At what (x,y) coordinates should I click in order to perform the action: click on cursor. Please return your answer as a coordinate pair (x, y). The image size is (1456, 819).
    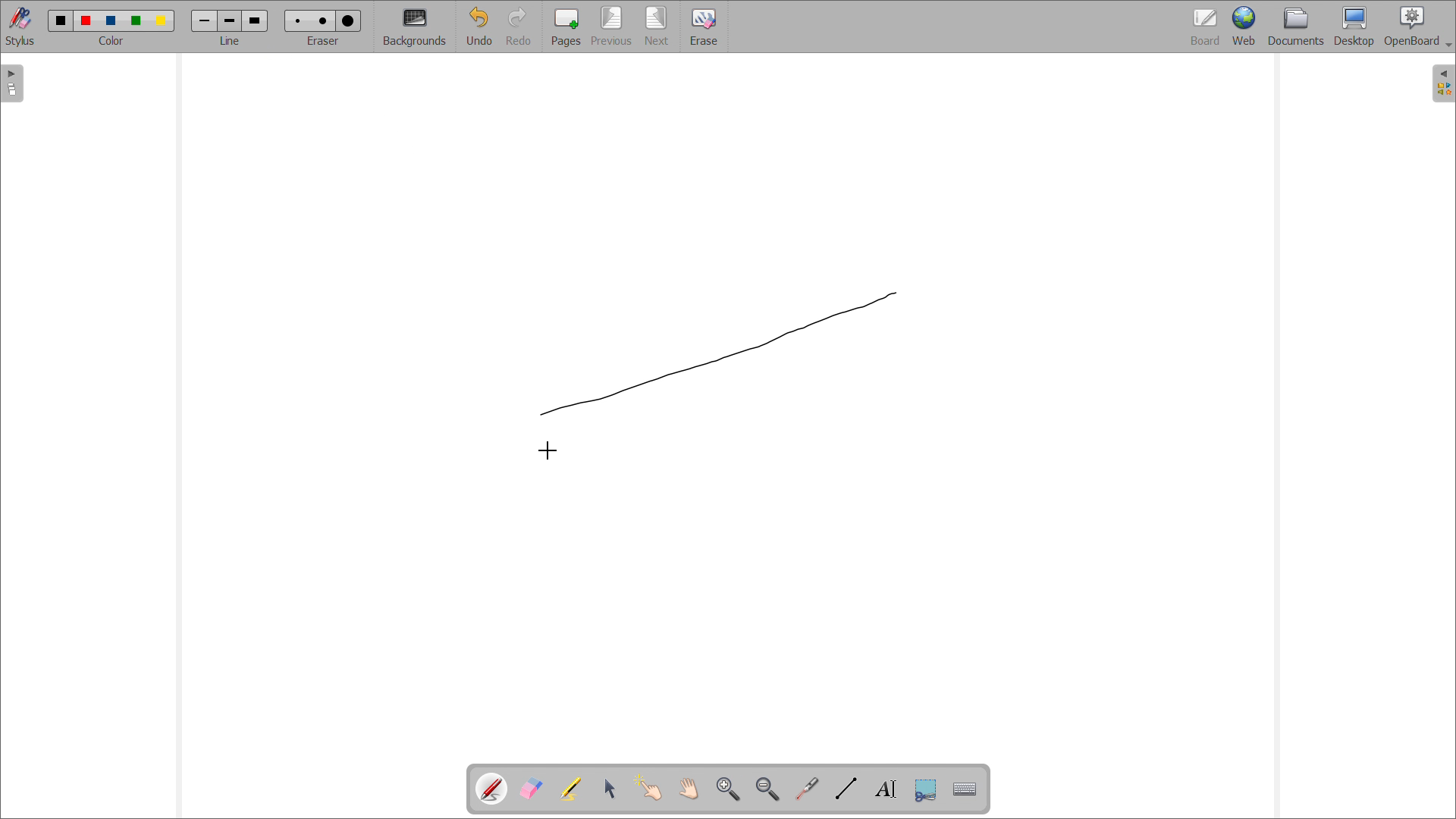
    Looking at the image, I should click on (548, 450).